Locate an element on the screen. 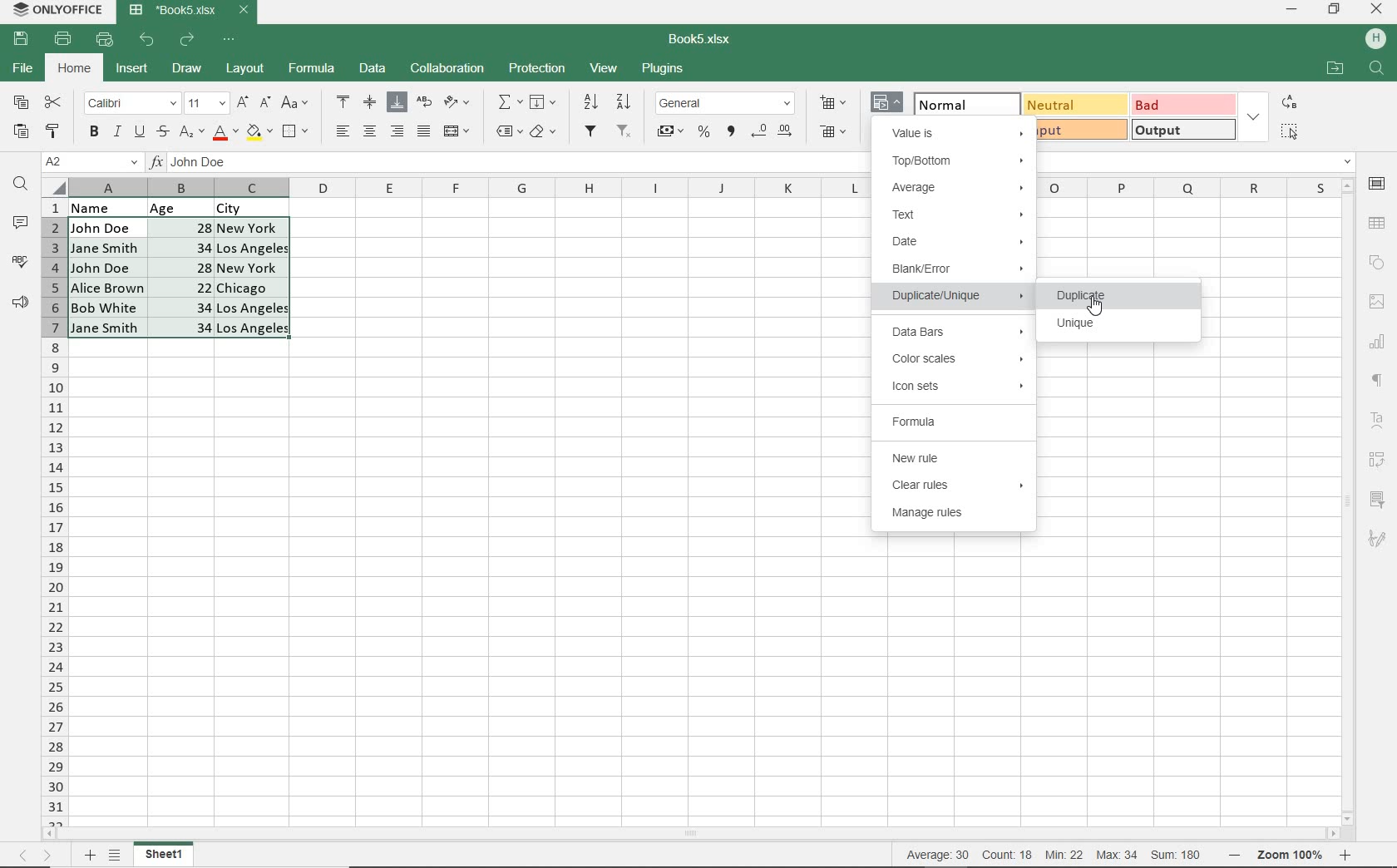 This screenshot has width=1397, height=868. OPEN FILE LOCATION is located at coordinates (1335, 70).